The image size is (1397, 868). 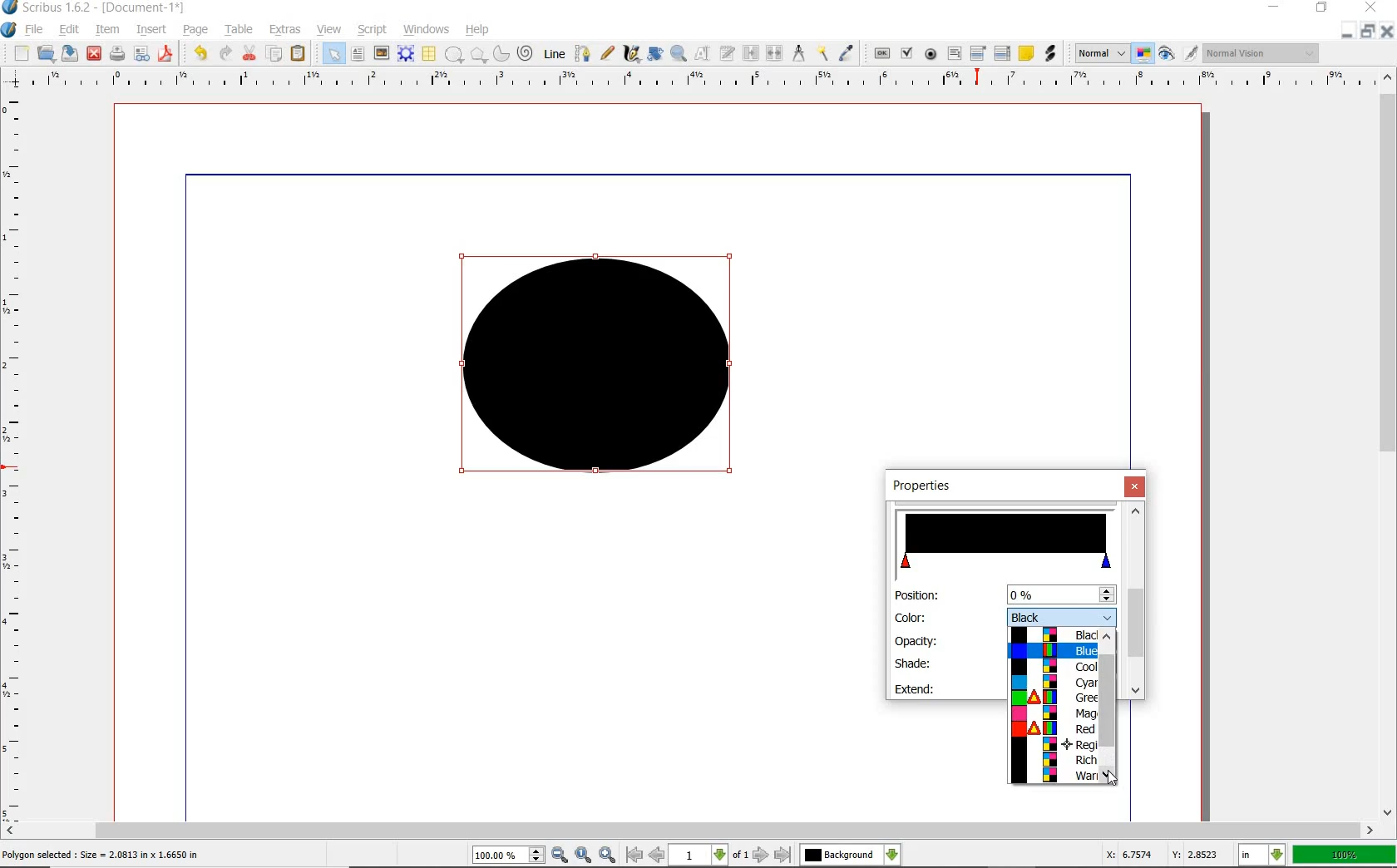 What do you see at coordinates (298, 55) in the screenshot?
I see `PASTE` at bounding box center [298, 55].